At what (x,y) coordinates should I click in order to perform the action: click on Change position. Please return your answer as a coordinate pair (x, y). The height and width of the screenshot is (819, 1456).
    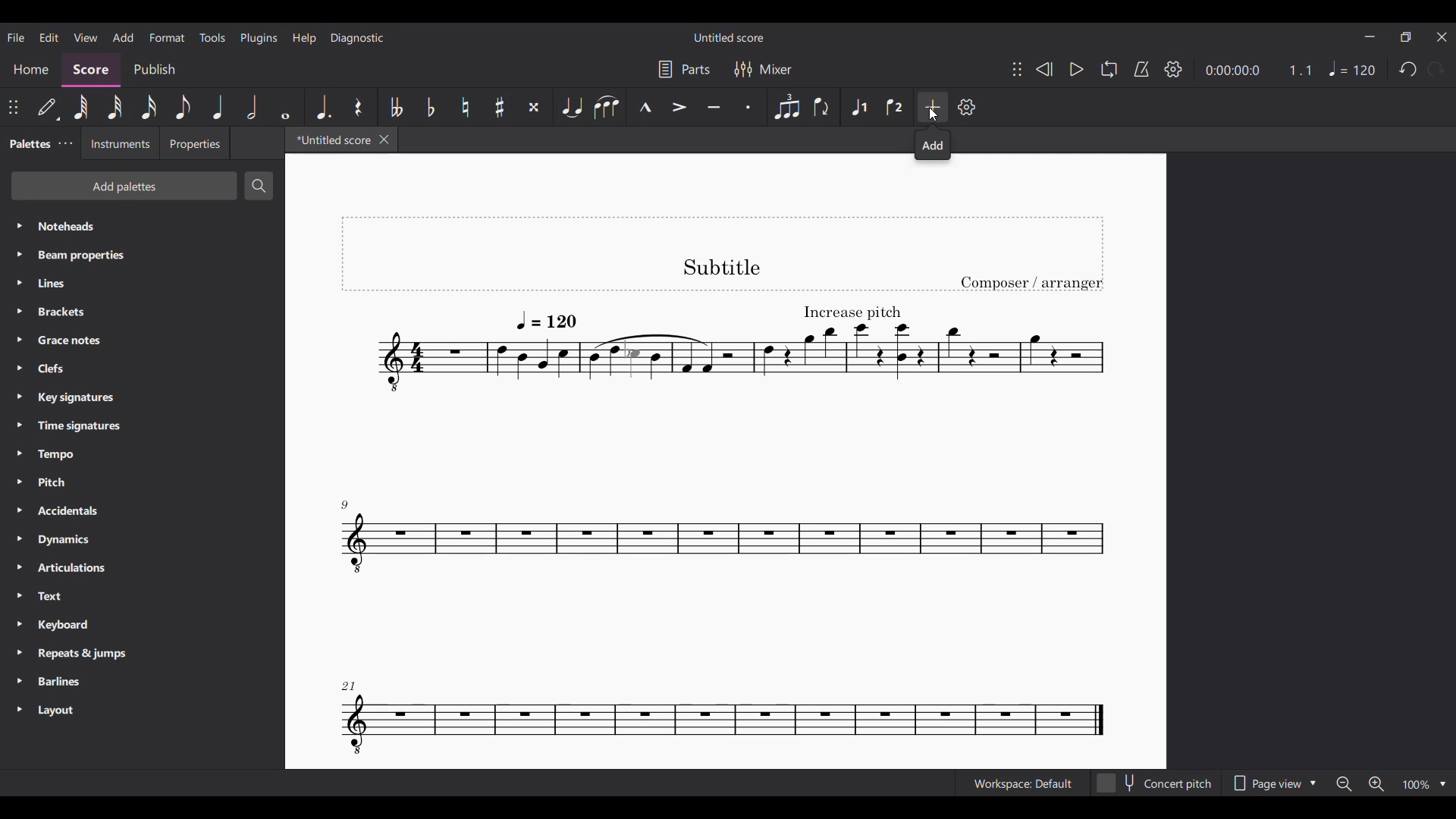
    Looking at the image, I should click on (1018, 69).